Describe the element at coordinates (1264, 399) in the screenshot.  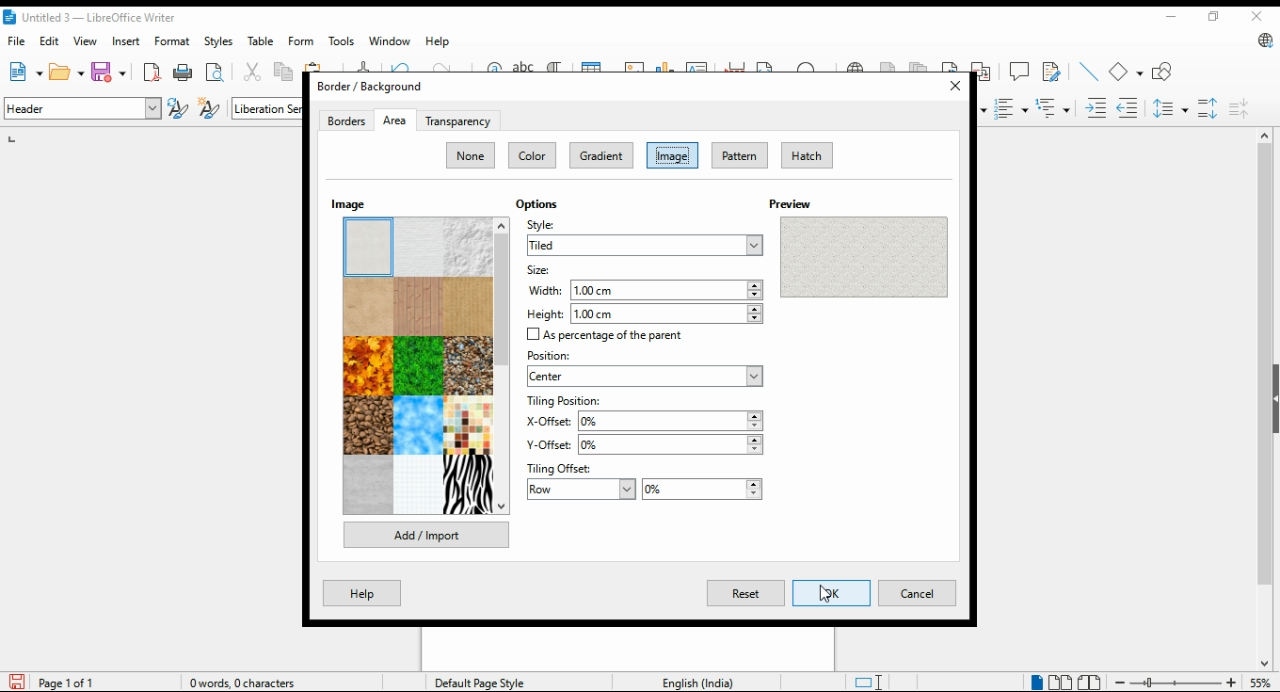
I see `scroll bar` at that location.